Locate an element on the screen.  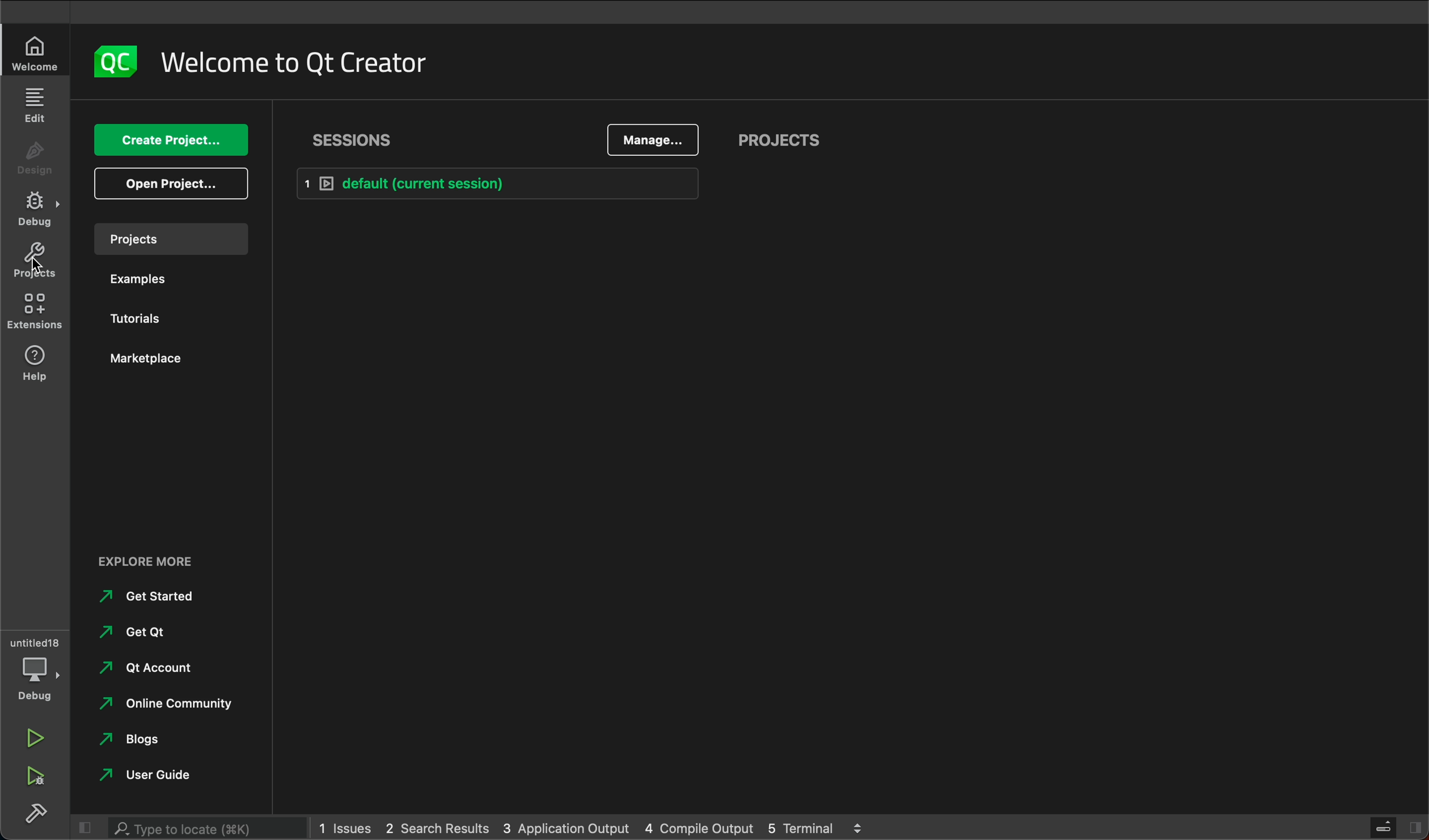
2 Search Results is located at coordinates (436, 826).